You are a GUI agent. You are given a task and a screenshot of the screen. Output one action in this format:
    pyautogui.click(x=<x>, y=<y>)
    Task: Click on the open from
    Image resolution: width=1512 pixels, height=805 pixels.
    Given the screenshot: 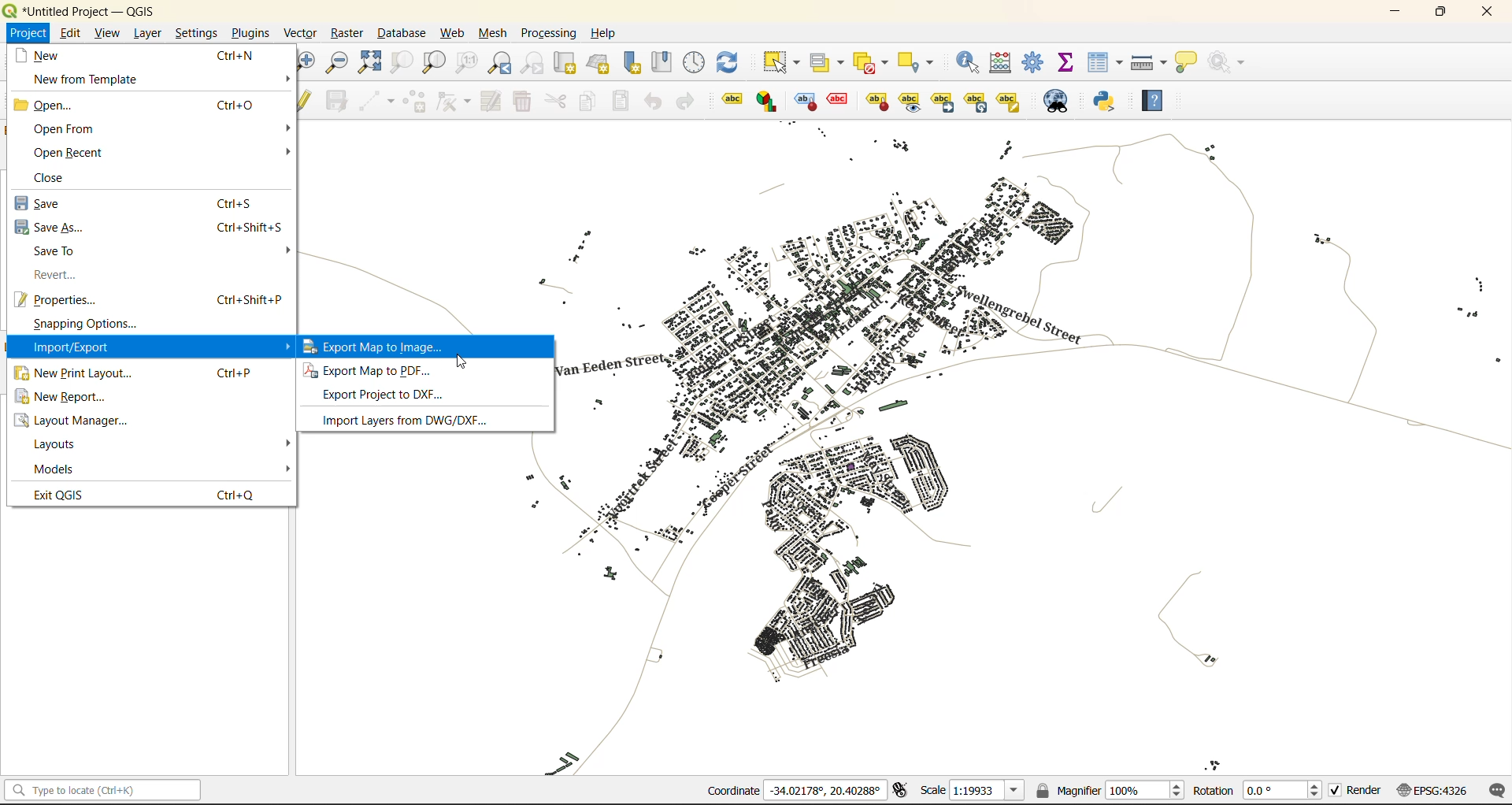 What is the action you would take?
    pyautogui.click(x=63, y=128)
    